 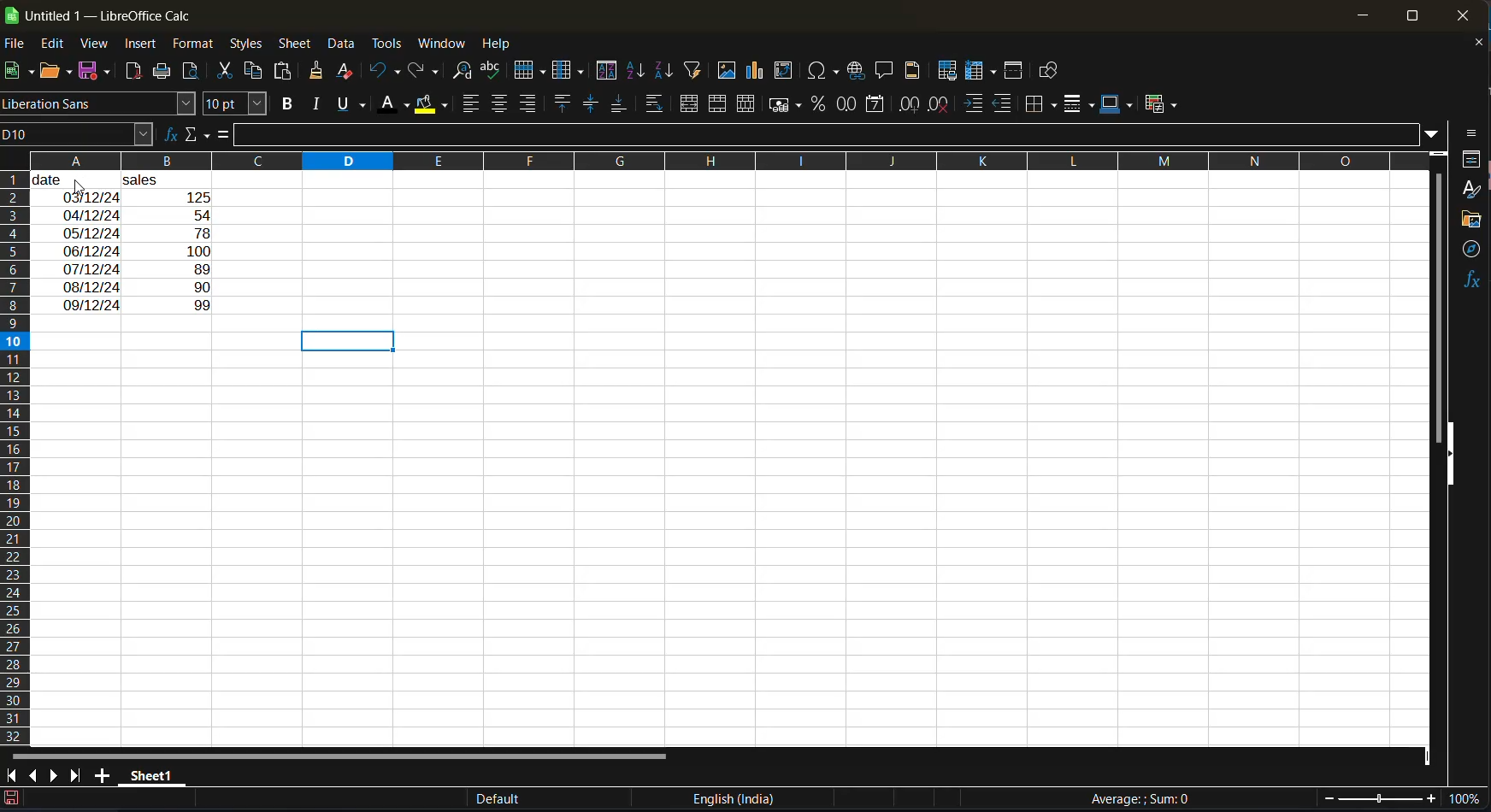 What do you see at coordinates (335, 753) in the screenshot?
I see `horizontal scroll bar` at bounding box center [335, 753].